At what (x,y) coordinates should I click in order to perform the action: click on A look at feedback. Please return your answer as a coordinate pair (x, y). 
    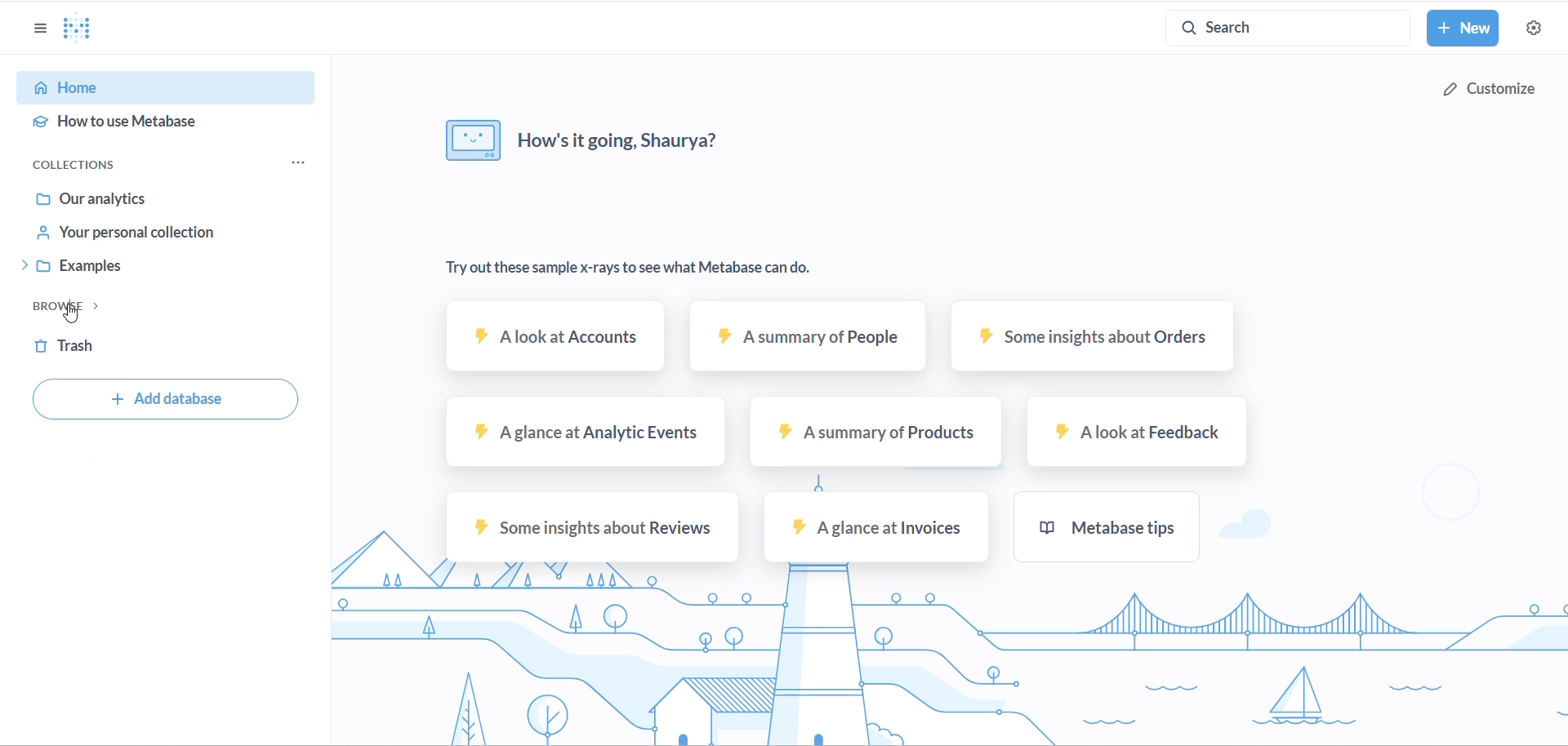
    Looking at the image, I should click on (1134, 439).